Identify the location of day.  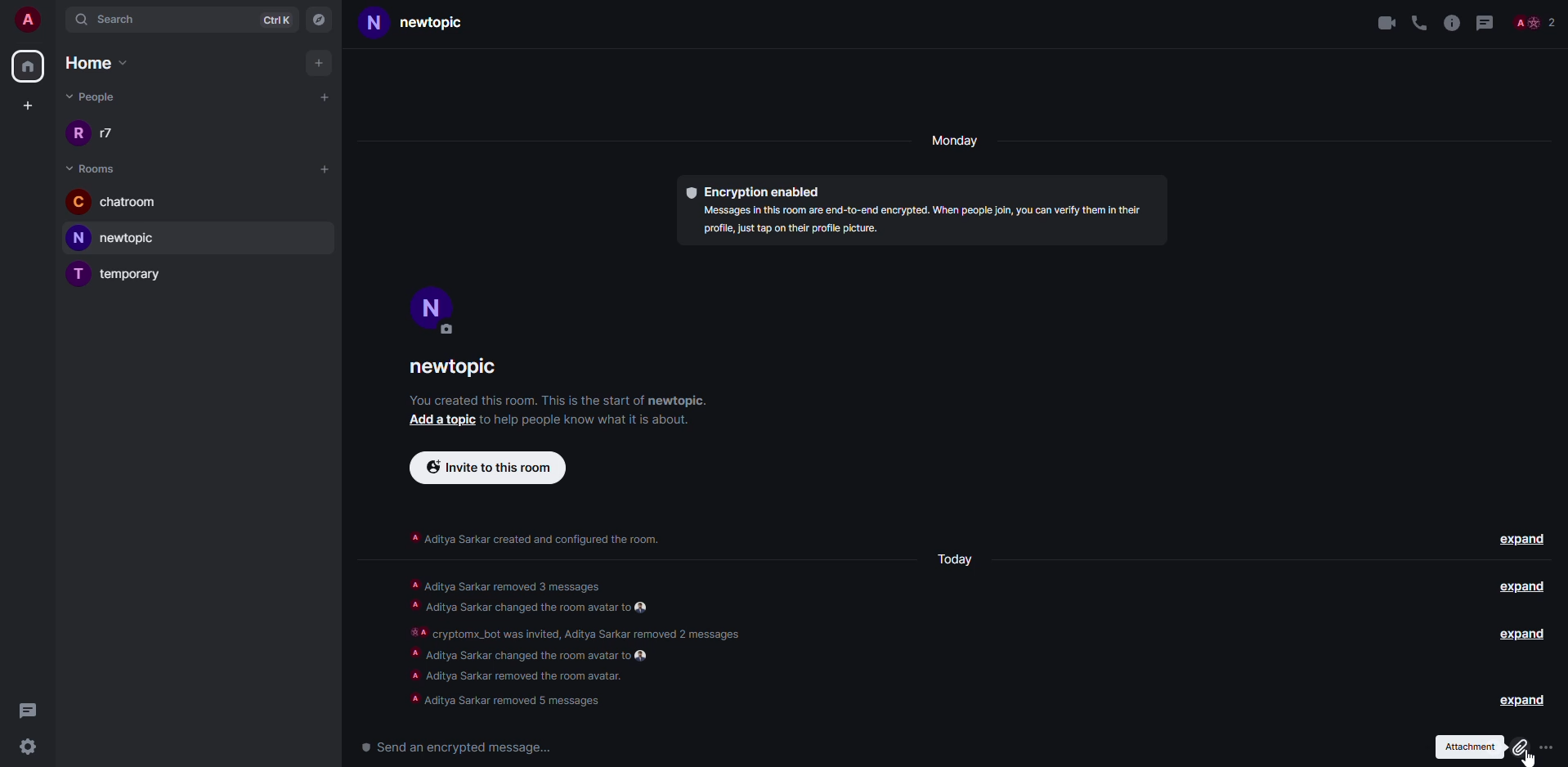
(959, 560).